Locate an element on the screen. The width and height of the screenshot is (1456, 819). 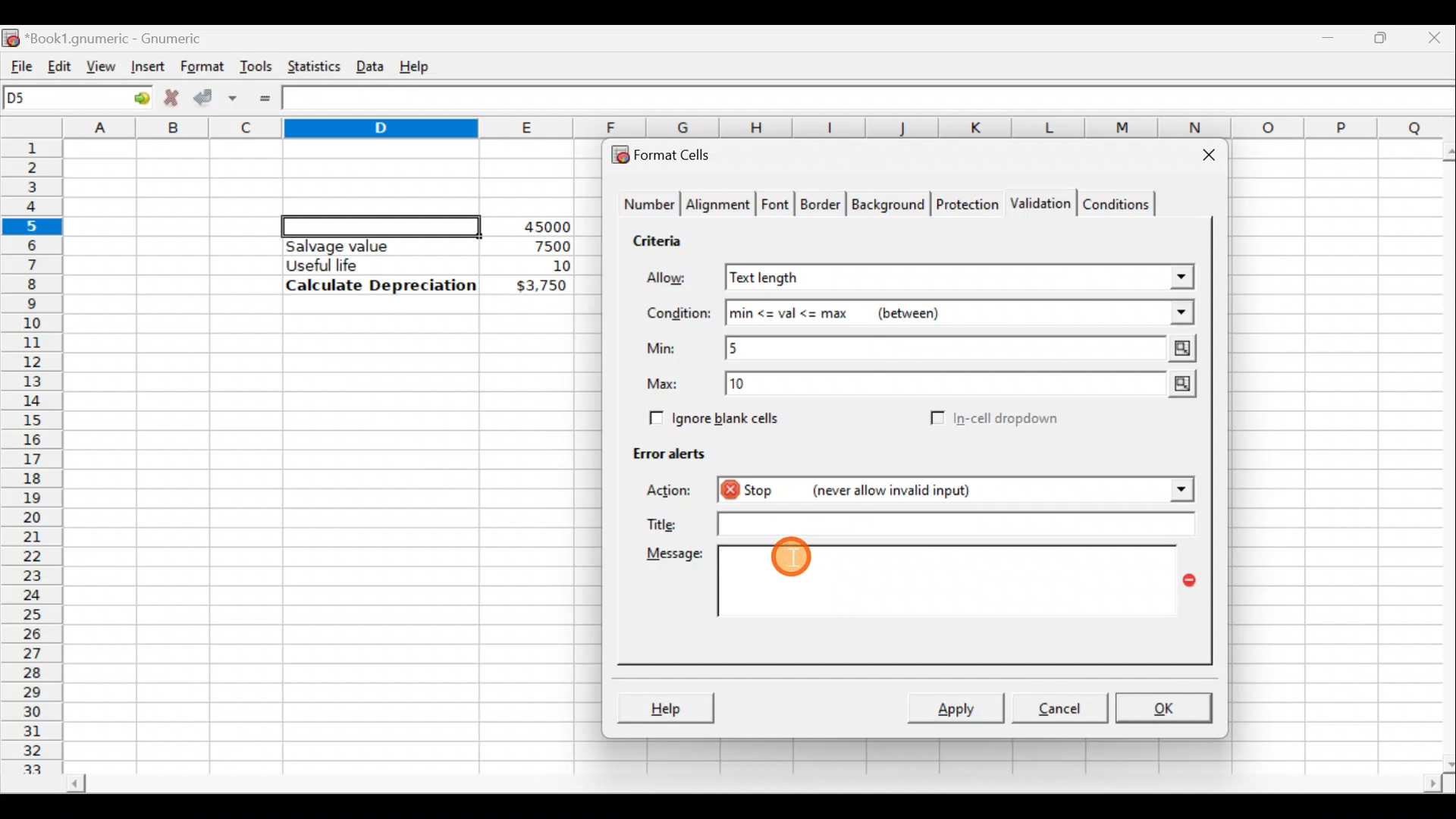
Help is located at coordinates (417, 65).